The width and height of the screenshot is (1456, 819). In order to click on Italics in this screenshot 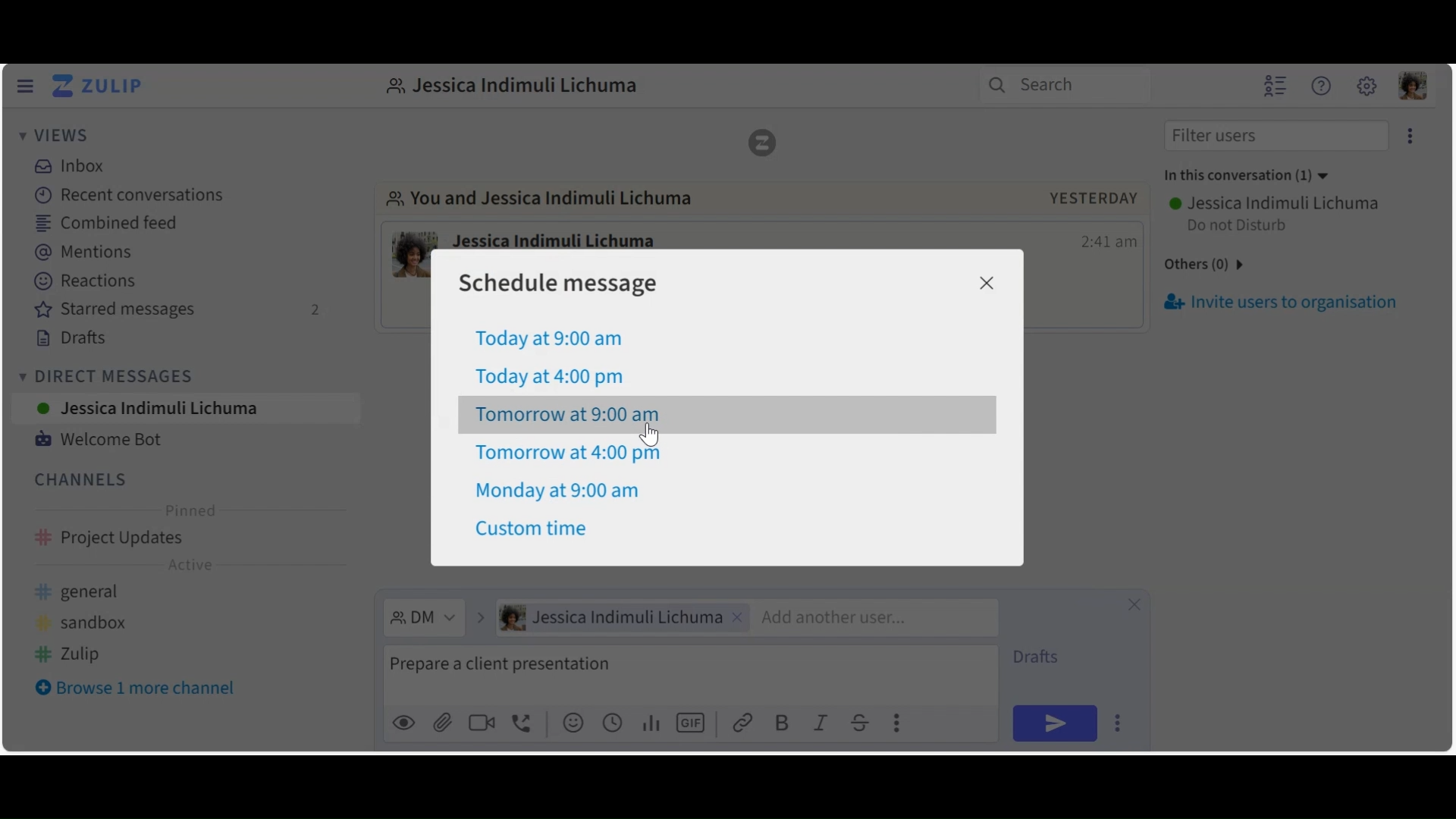, I will do `click(821, 723)`.